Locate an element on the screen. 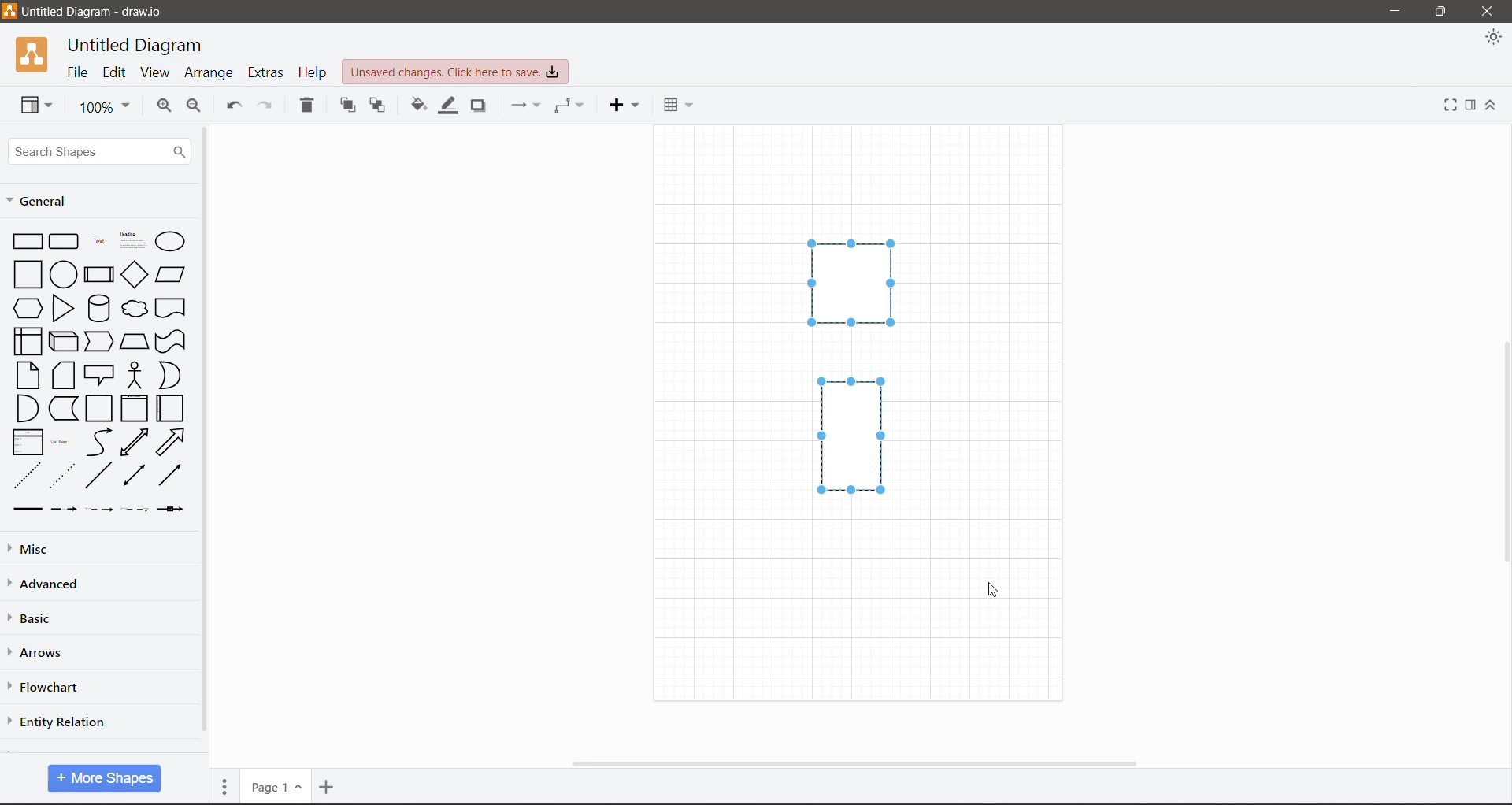  Shapes is located at coordinates (862, 388).